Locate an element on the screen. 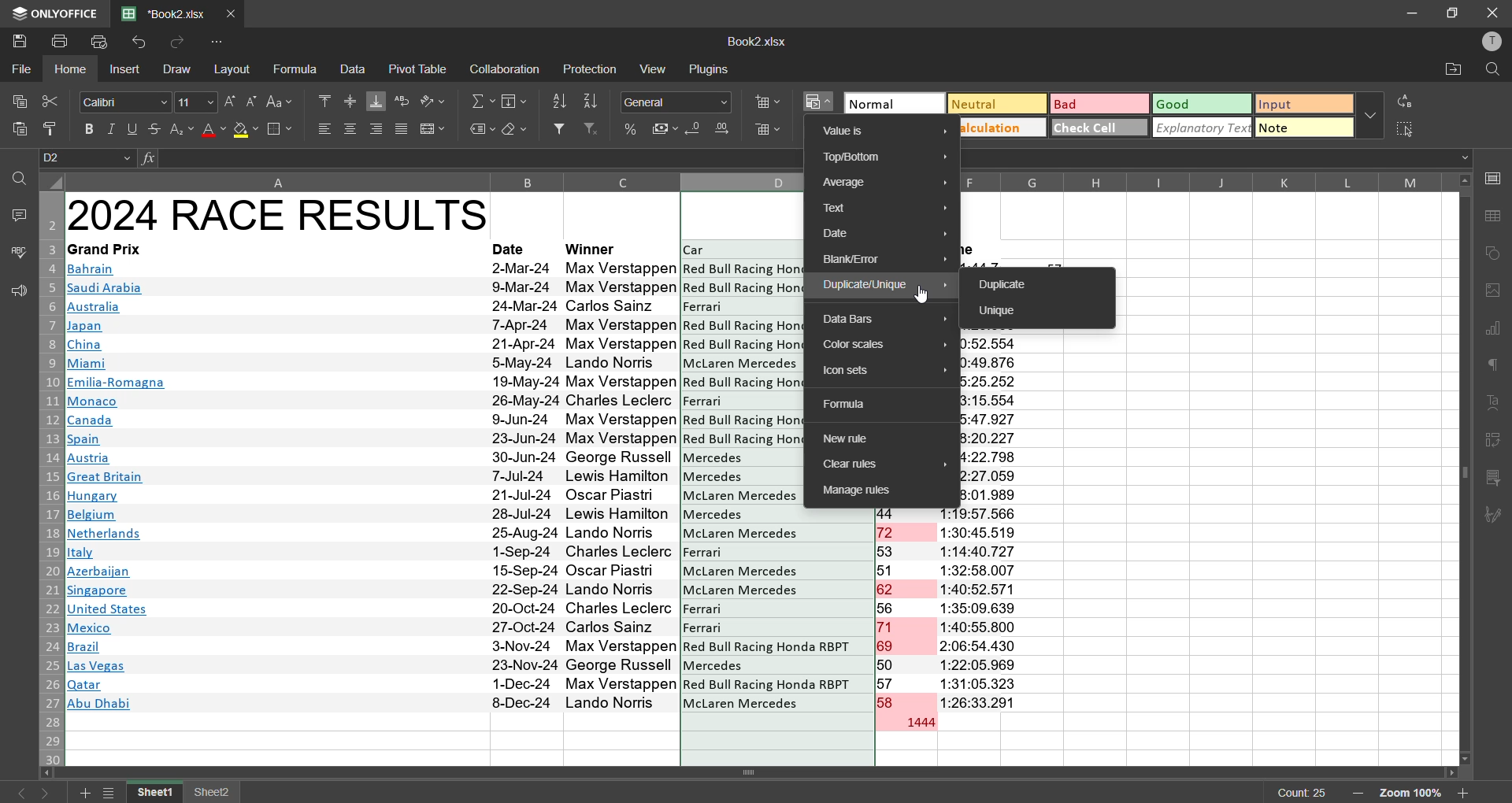 This screenshot has height=803, width=1512. filename is located at coordinates (169, 12).